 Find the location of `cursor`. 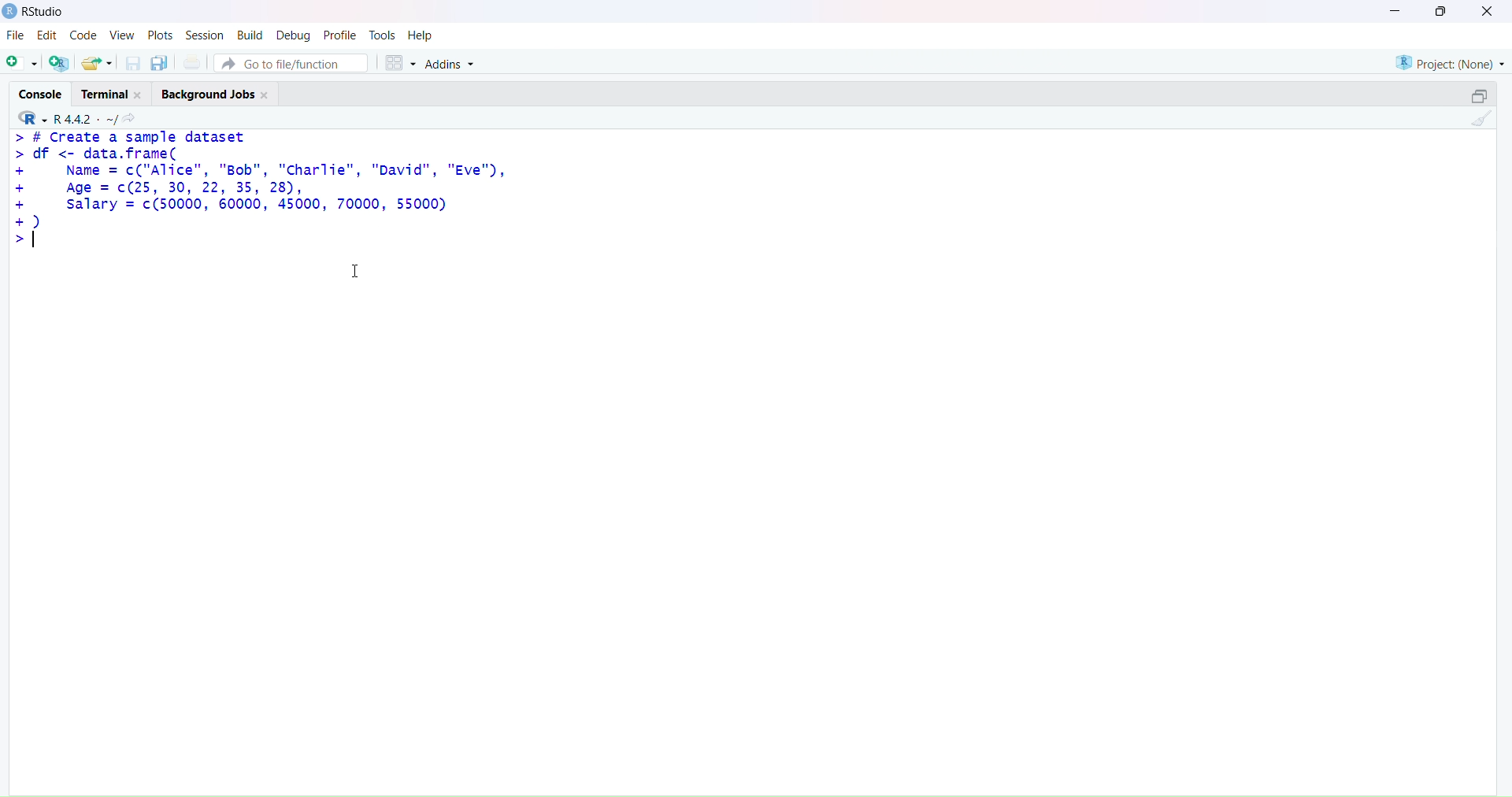

cursor is located at coordinates (357, 271).